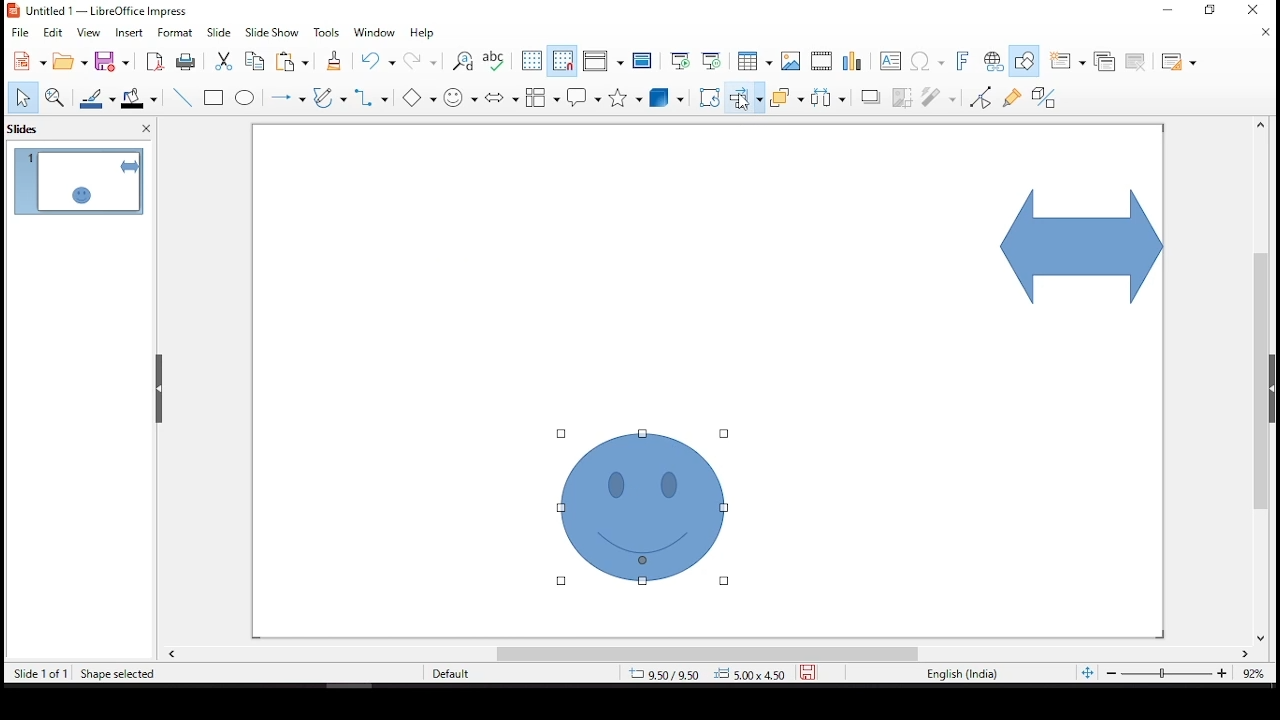  What do you see at coordinates (114, 62) in the screenshot?
I see `save` at bounding box center [114, 62].